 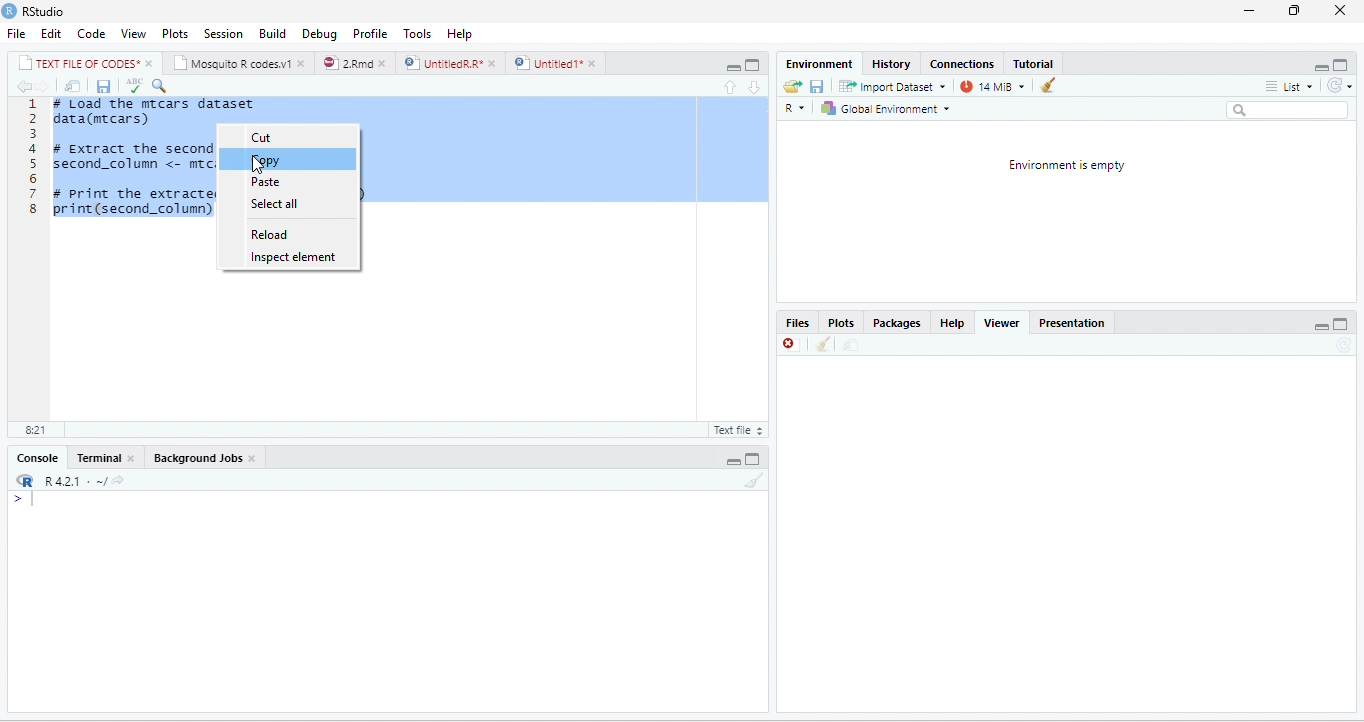 I want to click on ) | Untitled 1*, so click(x=547, y=63).